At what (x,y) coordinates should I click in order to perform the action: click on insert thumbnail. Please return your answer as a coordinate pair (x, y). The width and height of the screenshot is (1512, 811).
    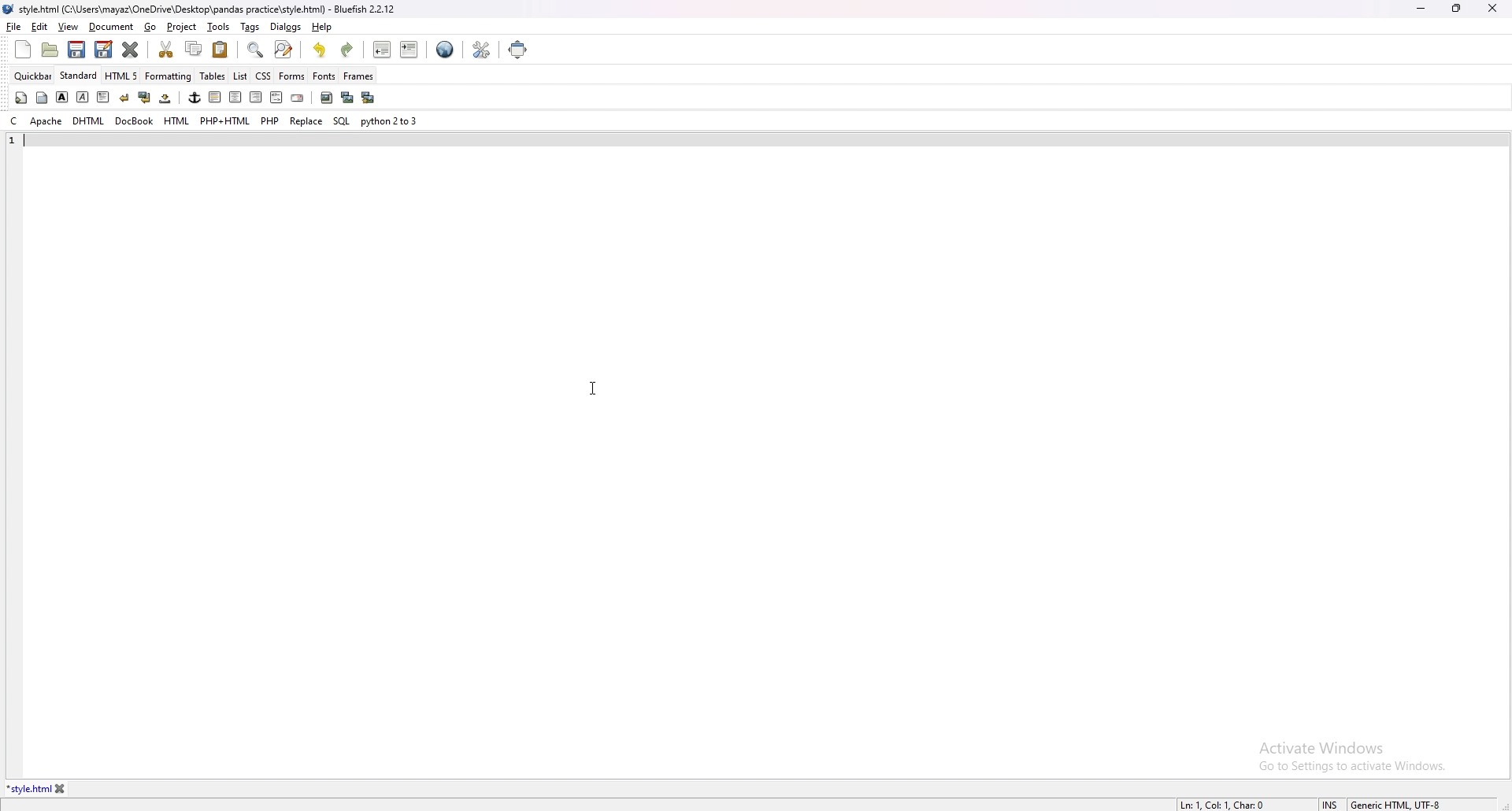
    Looking at the image, I should click on (346, 98).